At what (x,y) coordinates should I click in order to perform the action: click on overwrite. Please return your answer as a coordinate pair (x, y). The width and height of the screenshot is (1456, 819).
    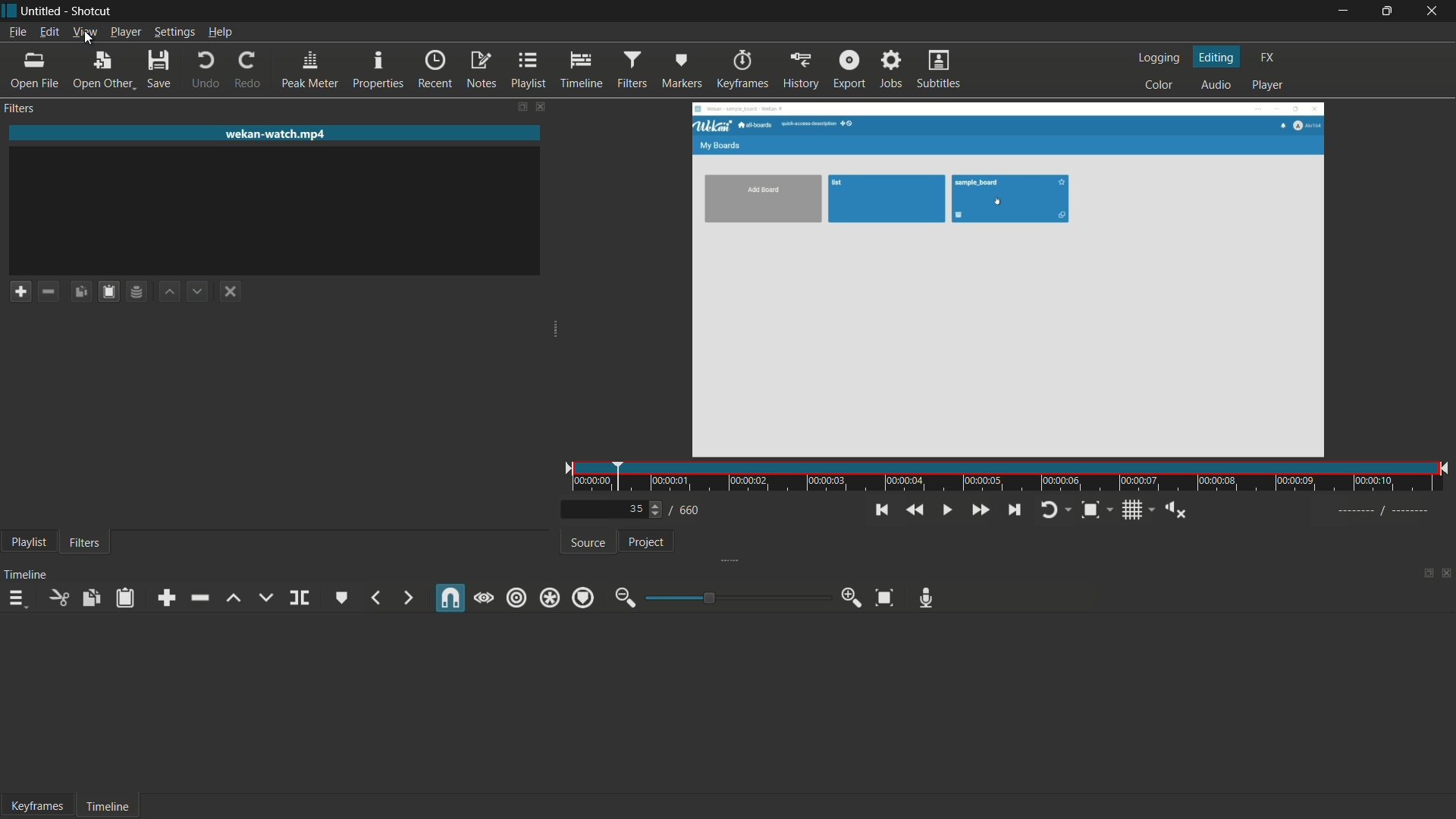
    Looking at the image, I should click on (265, 598).